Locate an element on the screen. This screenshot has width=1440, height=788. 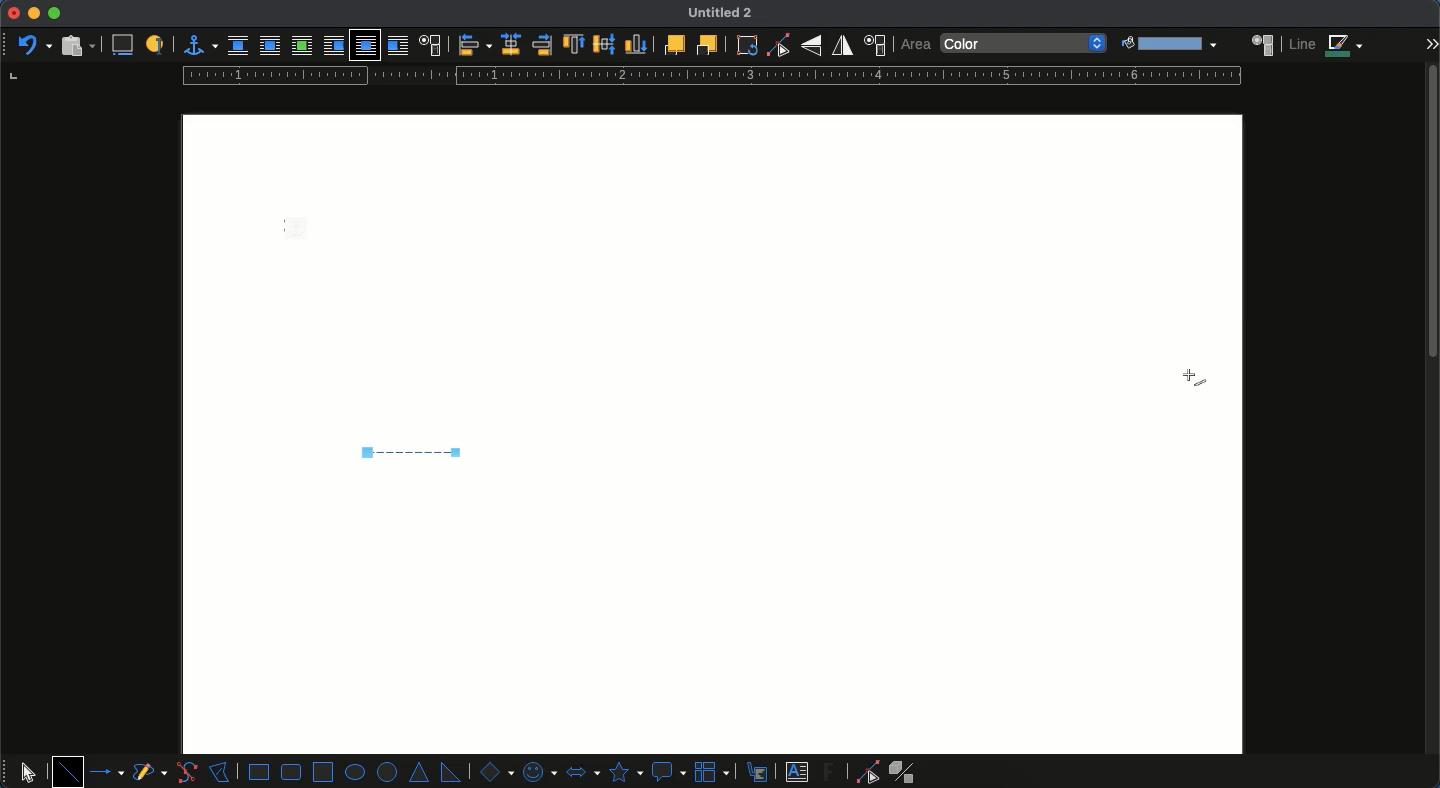
Untitled 2 - name is located at coordinates (724, 14).